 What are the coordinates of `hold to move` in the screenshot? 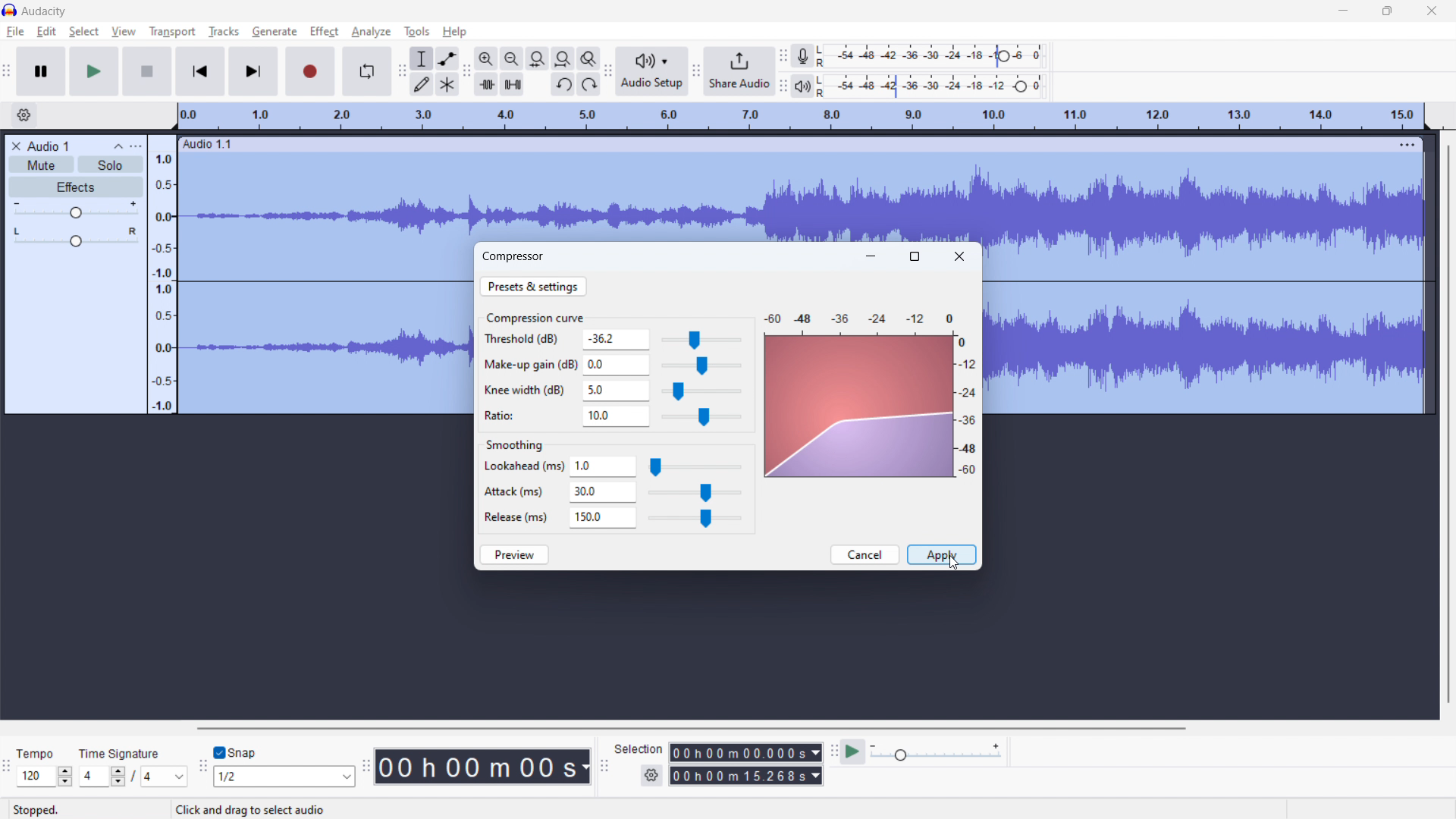 It's located at (789, 143).